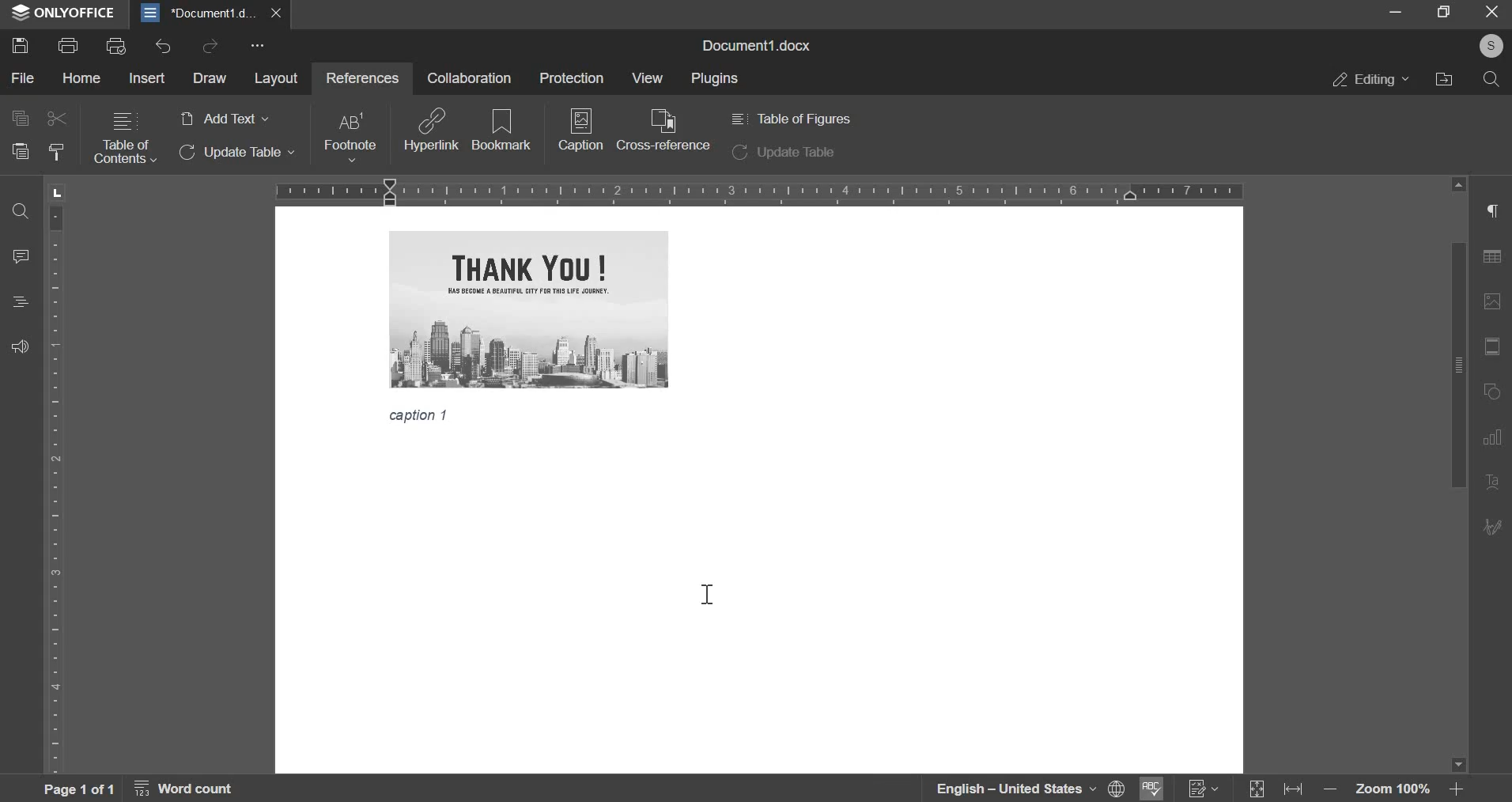  What do you see at coordinates (163, 47) in the screenshot?
I see `undo` at bounding box center [163, 47].